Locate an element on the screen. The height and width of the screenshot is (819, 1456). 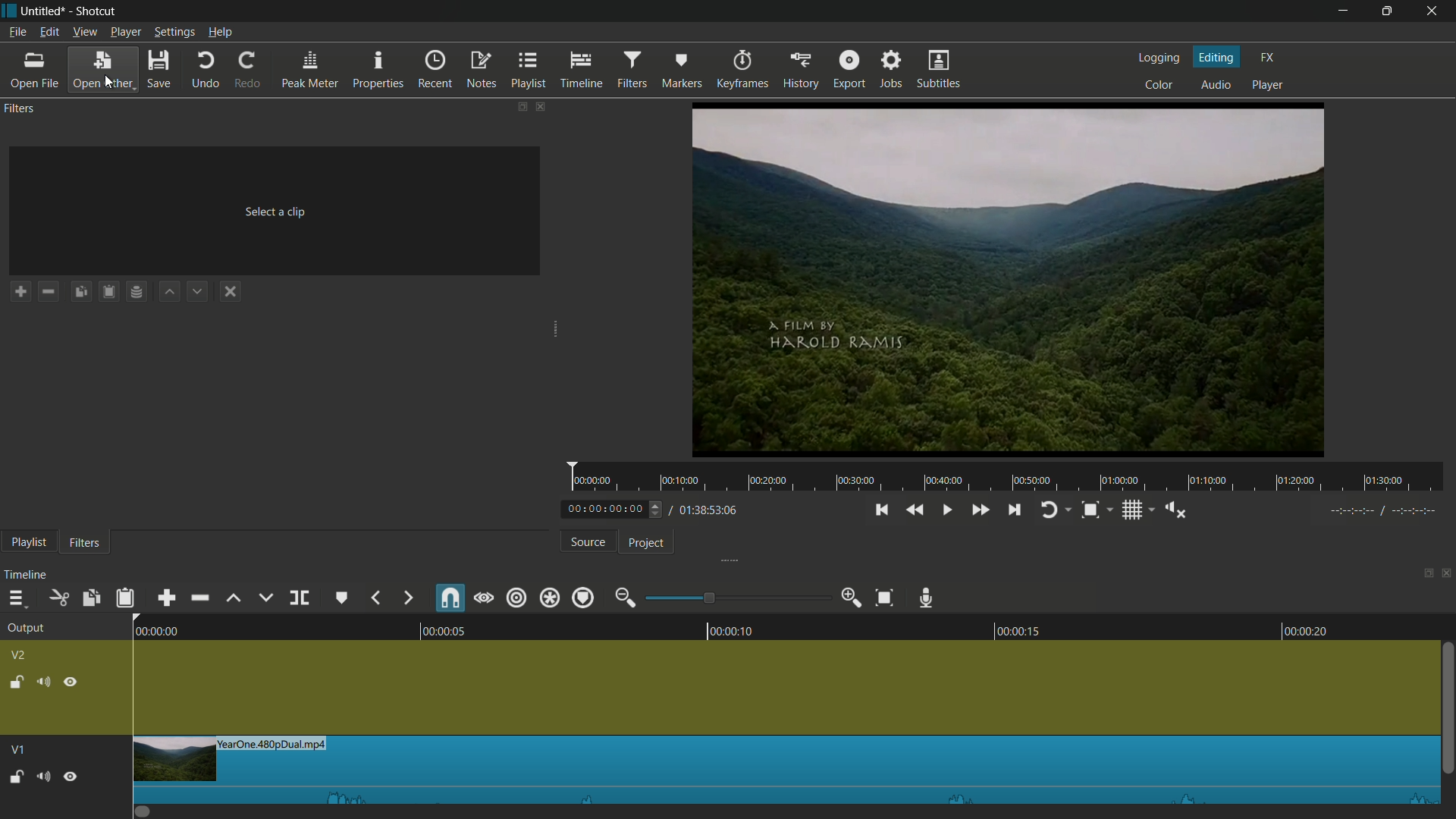
ripple delete is located at coordinates (197, 598).